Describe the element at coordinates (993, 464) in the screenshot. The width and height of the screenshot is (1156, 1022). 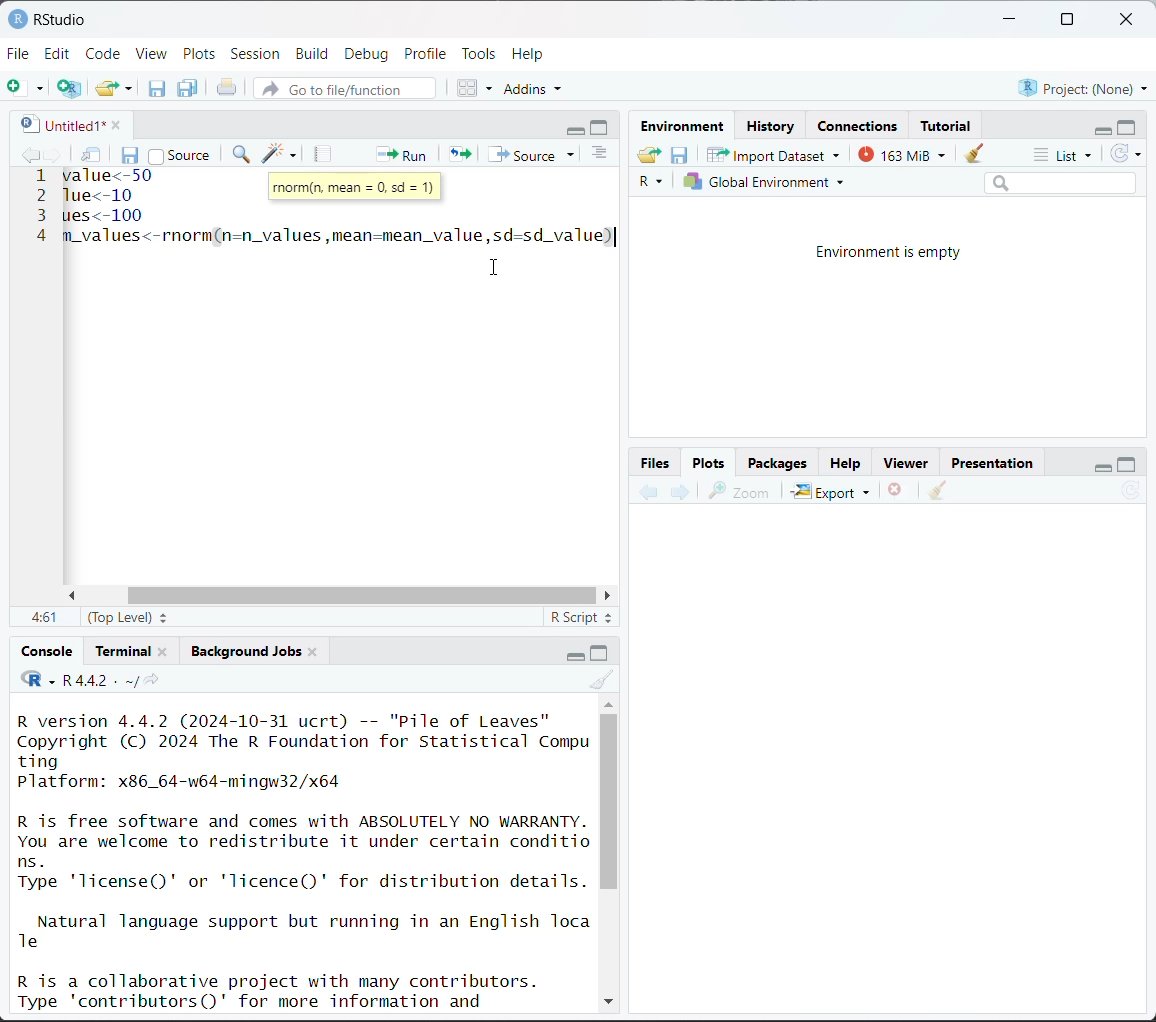
I see `Presentation` at that location.